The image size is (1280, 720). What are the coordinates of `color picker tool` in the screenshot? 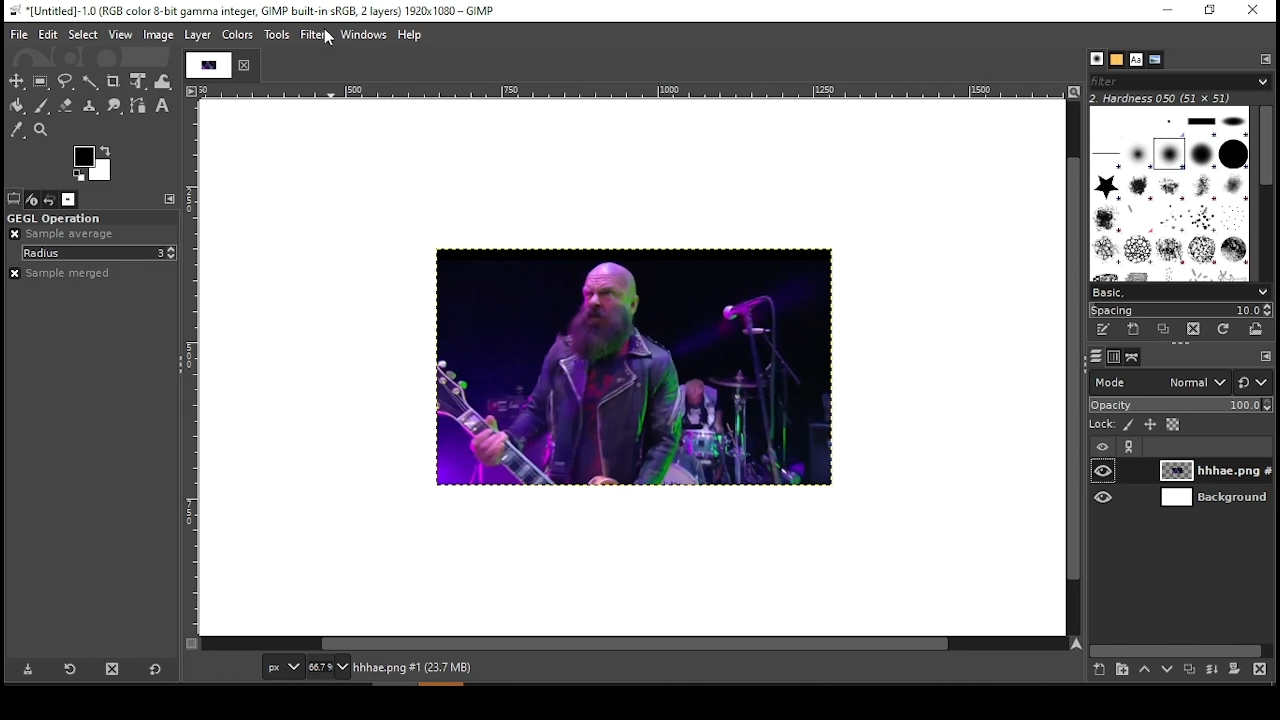 It's located at (18, 130).